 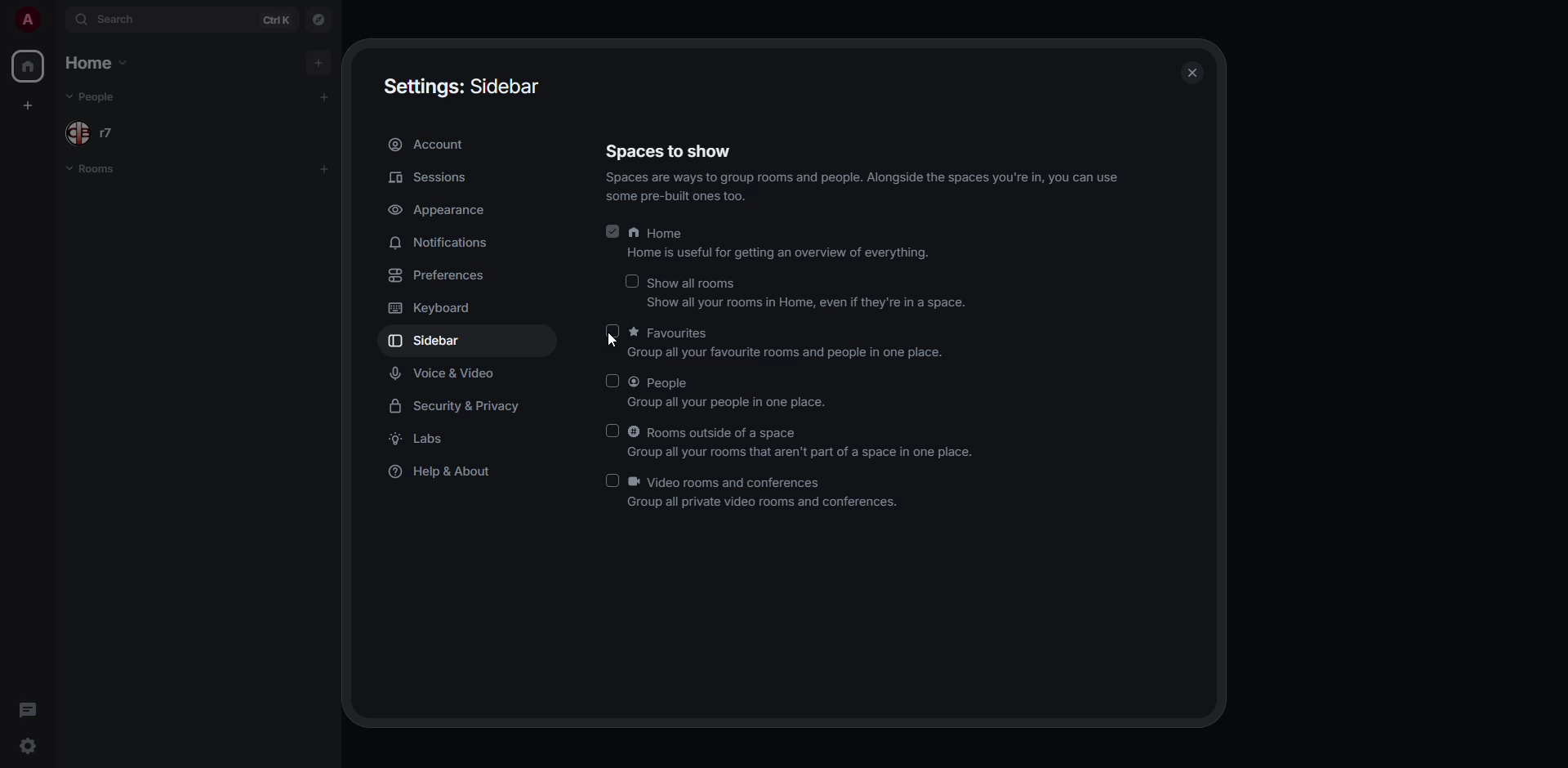 What do you see at coordinates (791, 345) in the screenshot?
I see ` Favourites Group all your favourite rooms and people in one place.` at bounding box center [791, 345].